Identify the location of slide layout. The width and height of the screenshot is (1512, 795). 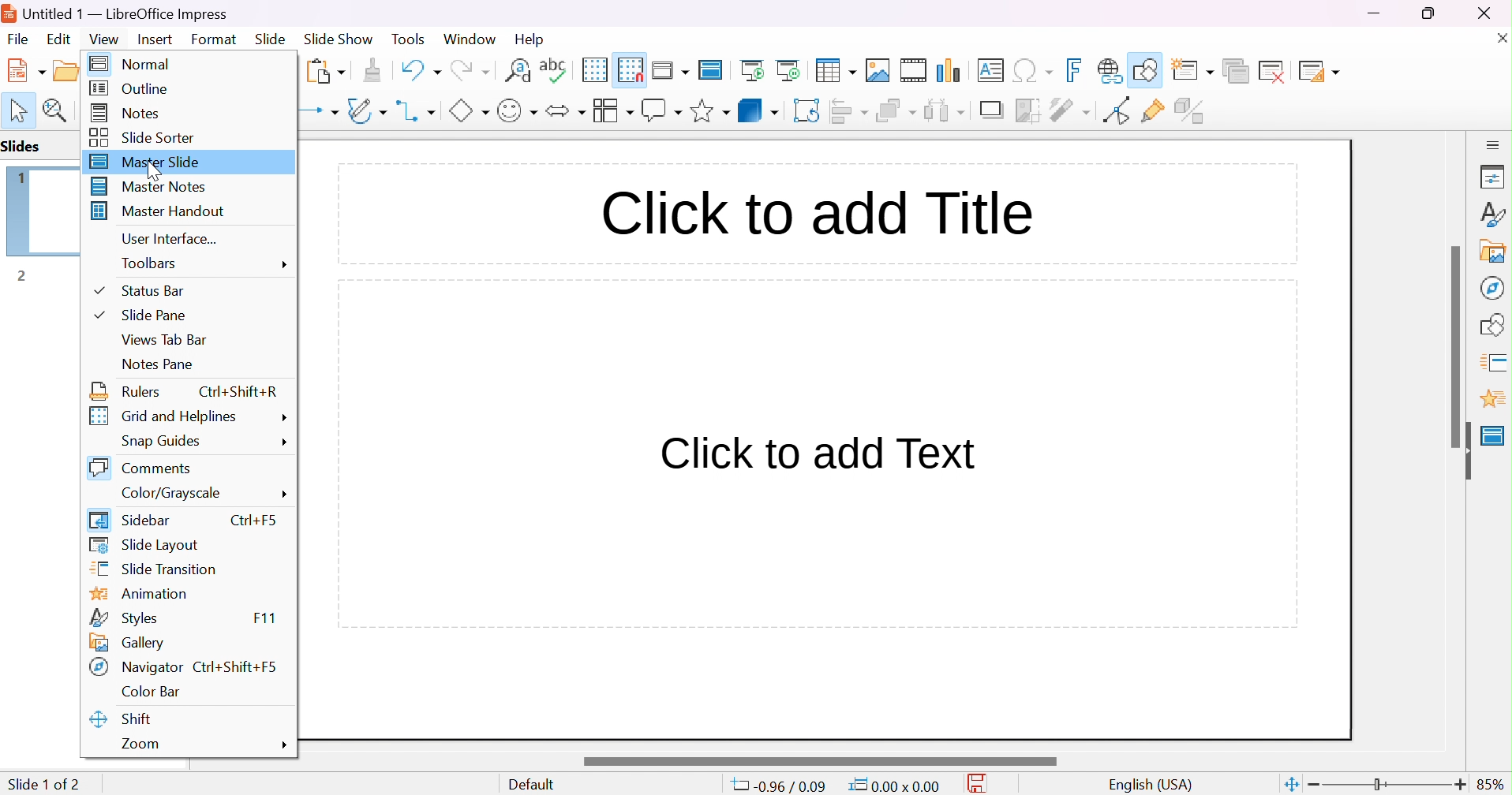
(1319, 70).